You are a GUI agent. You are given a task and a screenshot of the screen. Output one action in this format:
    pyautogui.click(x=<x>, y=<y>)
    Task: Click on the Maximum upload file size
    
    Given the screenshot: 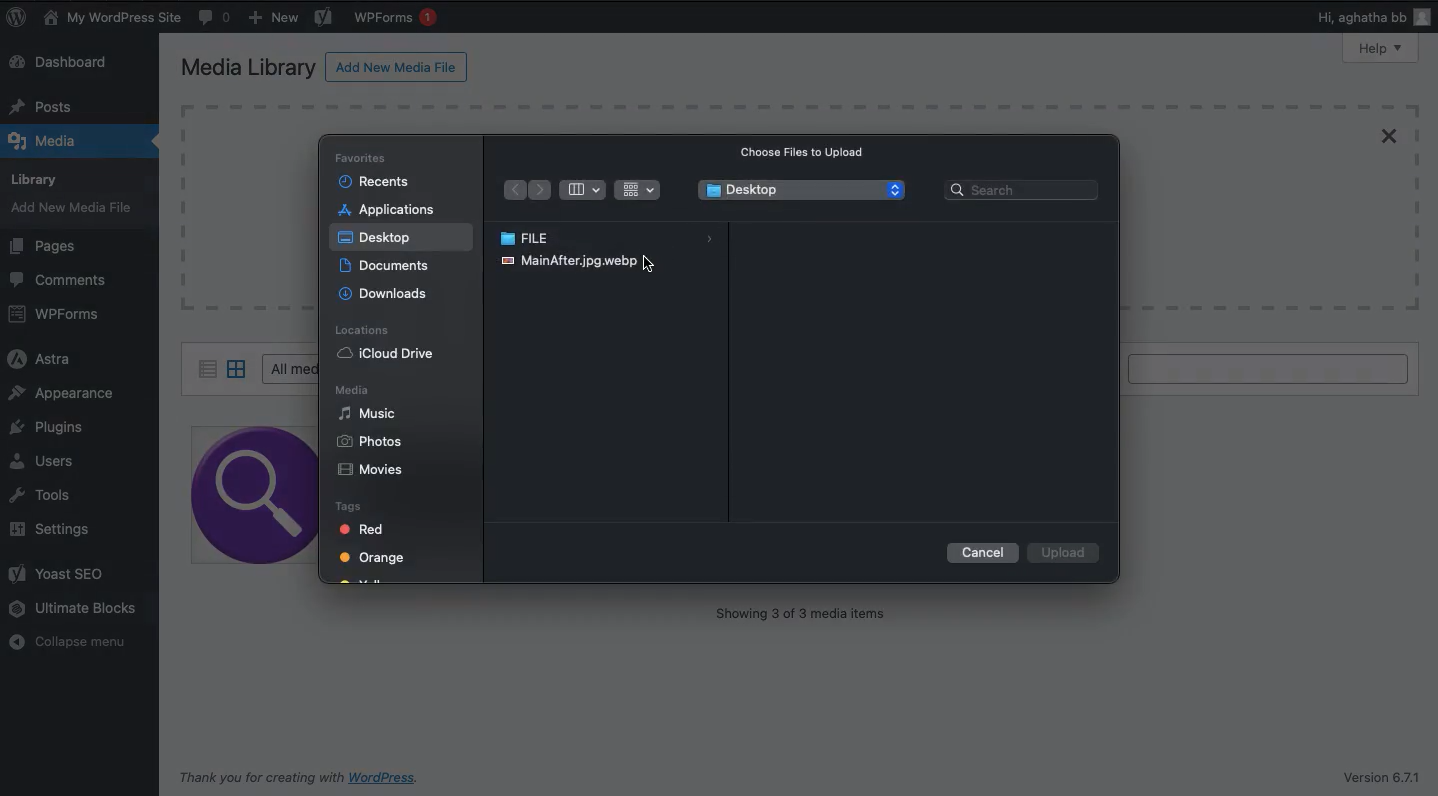 What is the action you would take?
    pyautogui.click(x=808, y=271)
    